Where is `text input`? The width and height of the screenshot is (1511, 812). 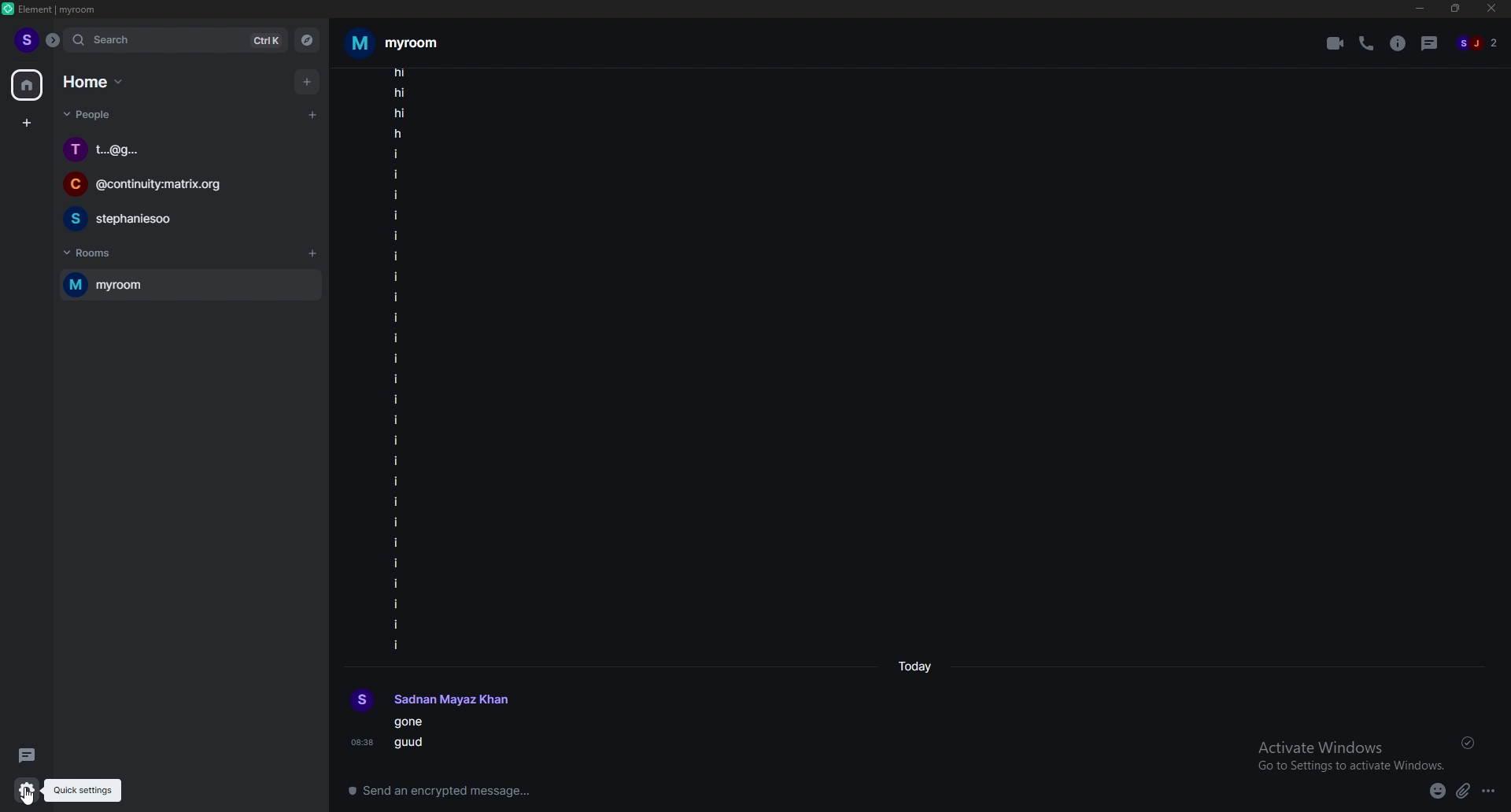 text input is located at coordinates (784, 788).